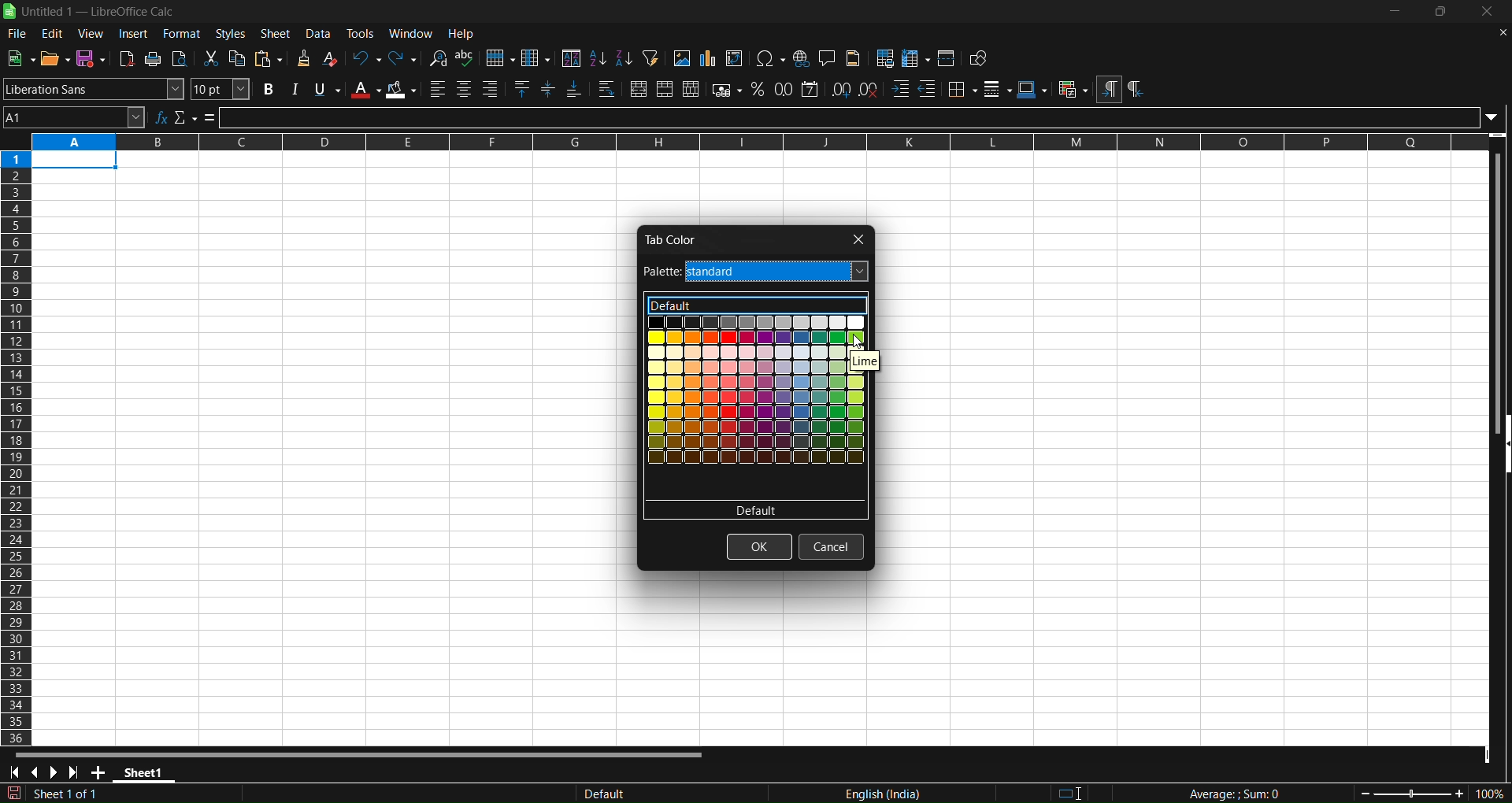 The image size is (1512, 803). What do you see at coordinates (1135, 90) in the screenshot?
I see `right to left` at bounding box center [1135, 90].